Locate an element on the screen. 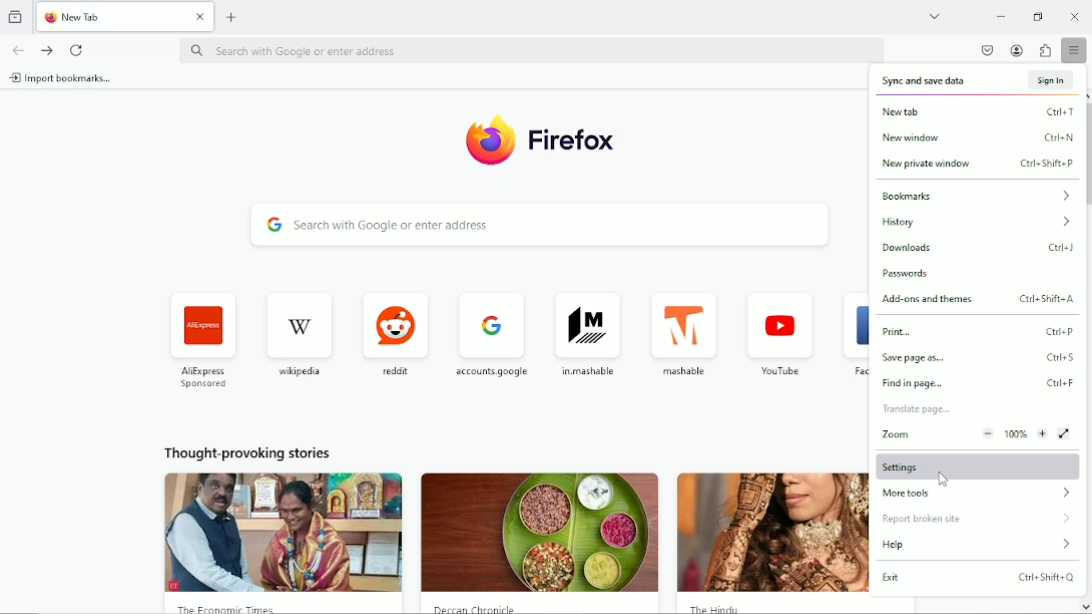  the economic times is located at coordinates (247, 609).